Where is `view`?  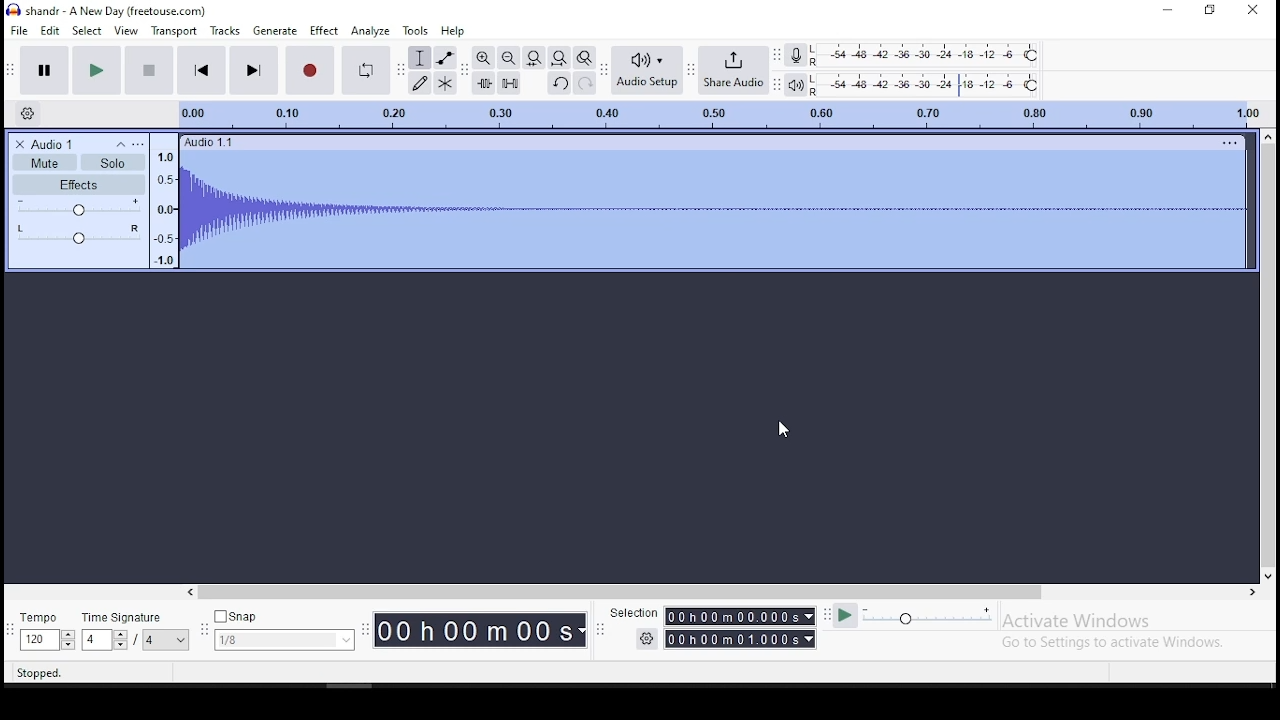
view is located at coordinates (125, 31).